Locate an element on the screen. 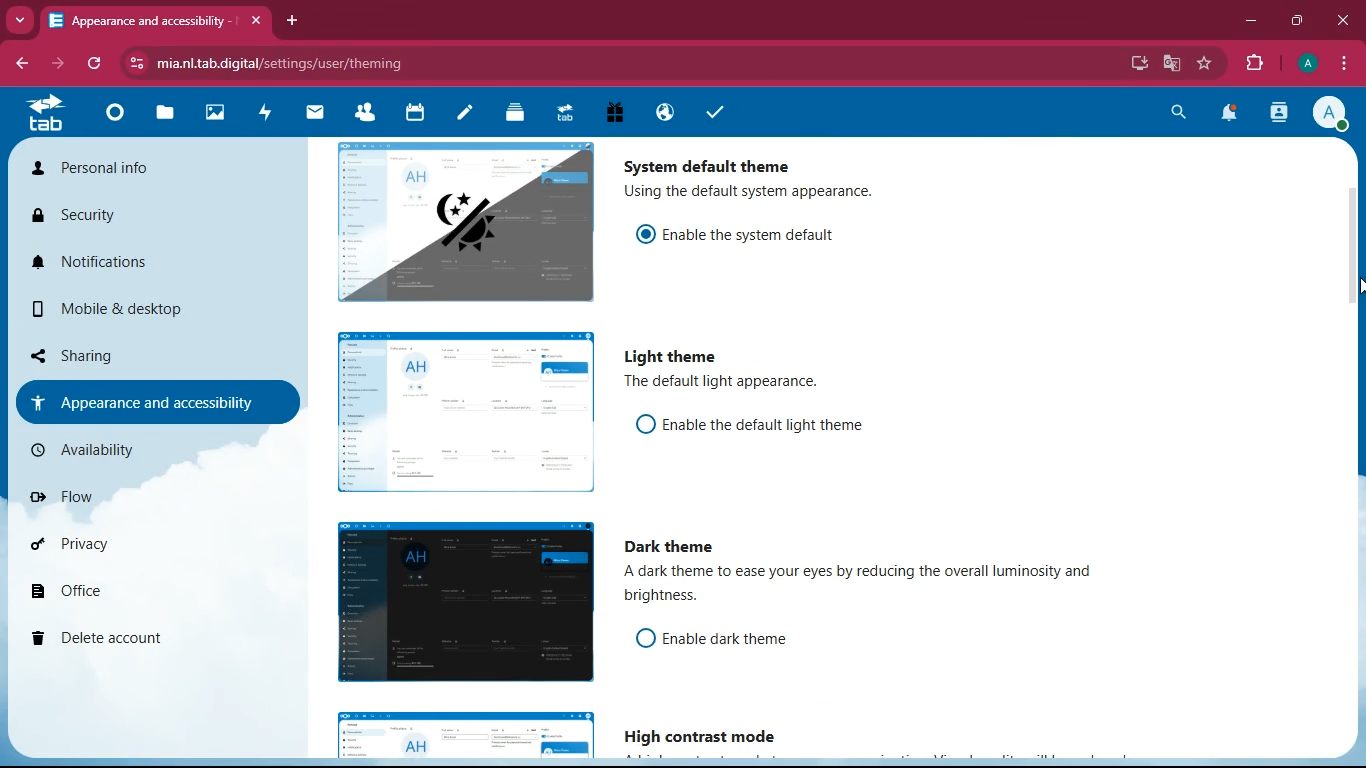 The height and width of the screenshot is (768, 1366). back is located at coordinates (26, 63).